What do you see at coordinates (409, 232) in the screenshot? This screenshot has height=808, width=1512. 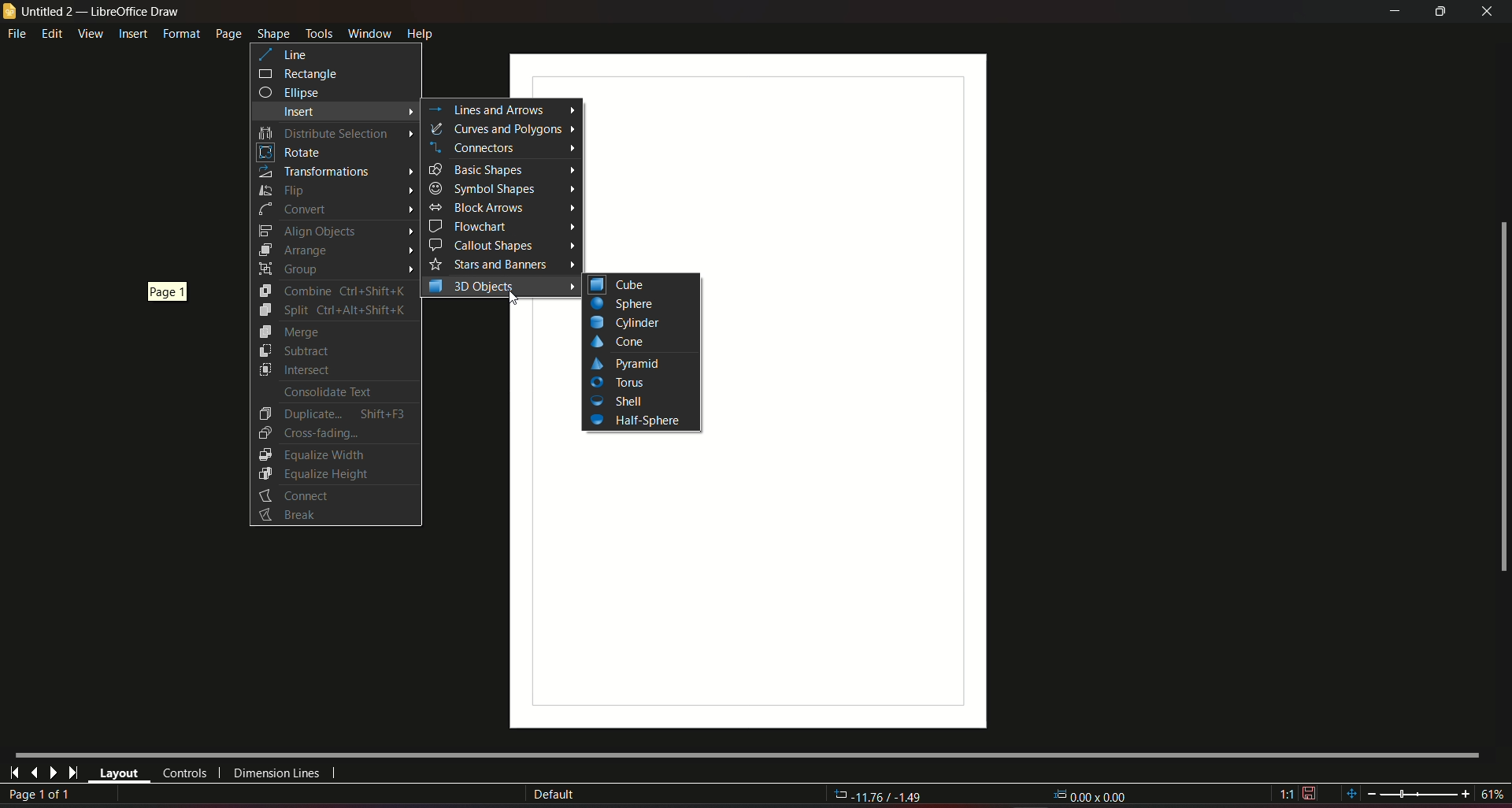 I see `Arrow` at bounding box center [409, 232].